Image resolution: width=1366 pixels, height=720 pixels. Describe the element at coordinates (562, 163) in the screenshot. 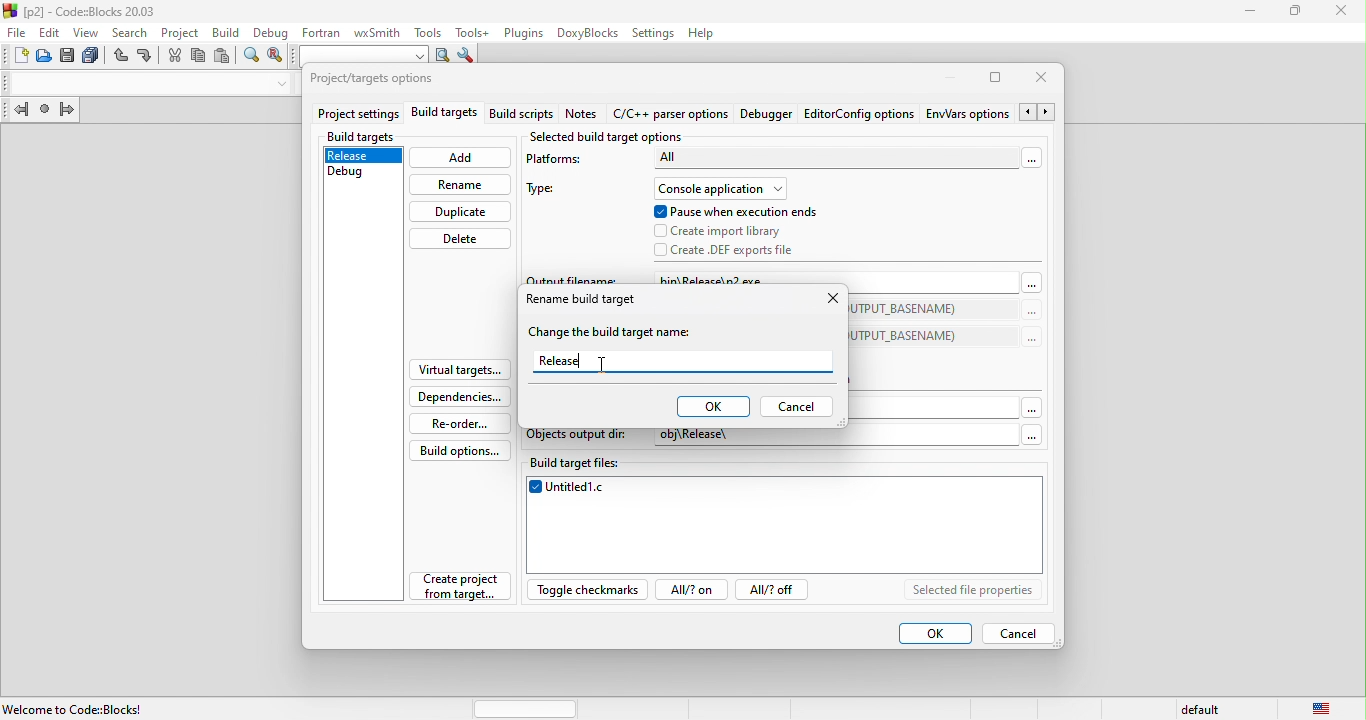

I see `platforms` at that location.